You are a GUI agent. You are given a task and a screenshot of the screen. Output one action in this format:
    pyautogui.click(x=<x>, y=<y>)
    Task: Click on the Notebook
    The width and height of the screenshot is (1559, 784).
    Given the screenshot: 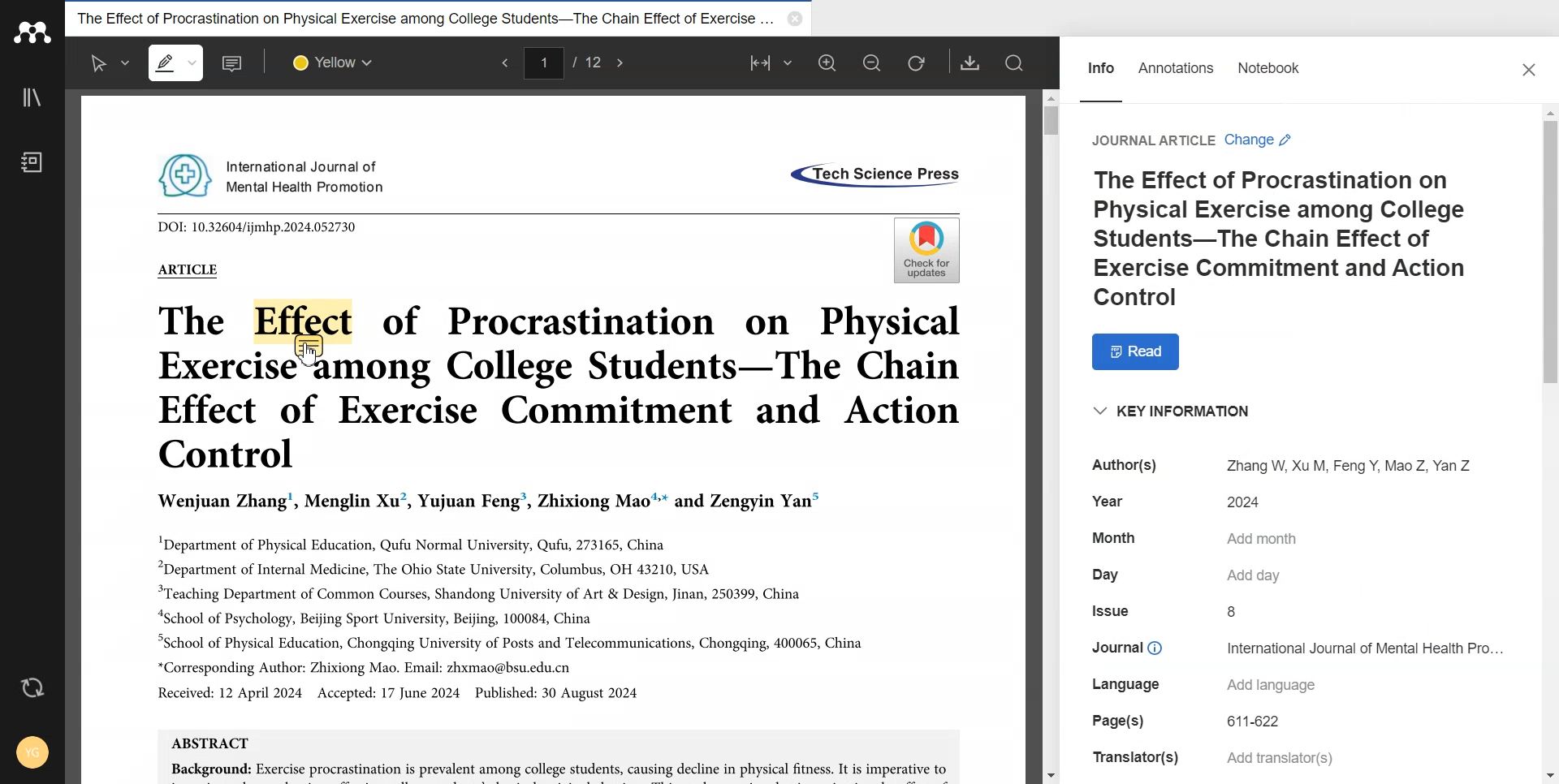 What is the action you would take?
    pyautogui.click(x=32, y=162)
    